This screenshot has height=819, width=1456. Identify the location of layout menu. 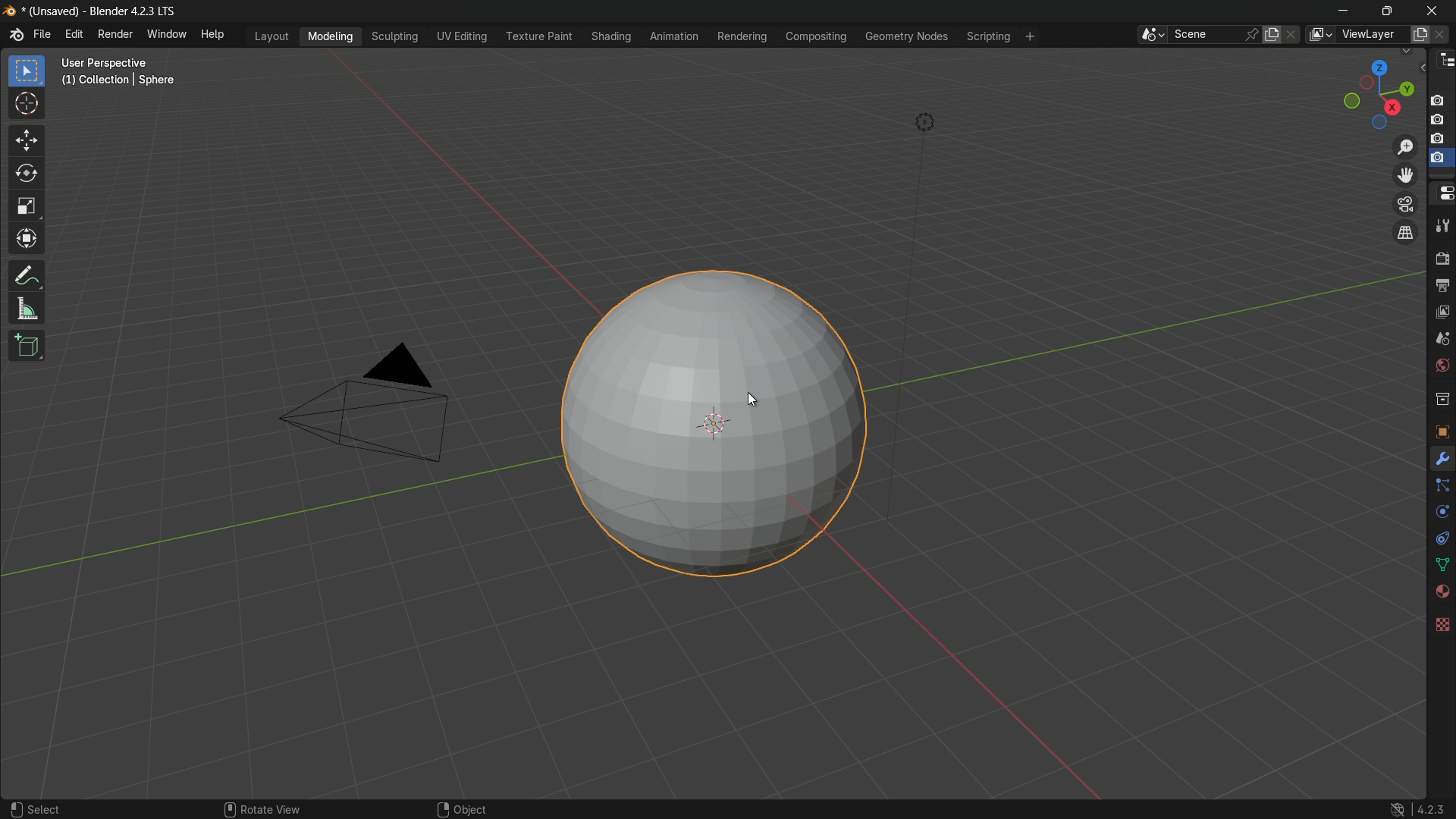
(271, 36).